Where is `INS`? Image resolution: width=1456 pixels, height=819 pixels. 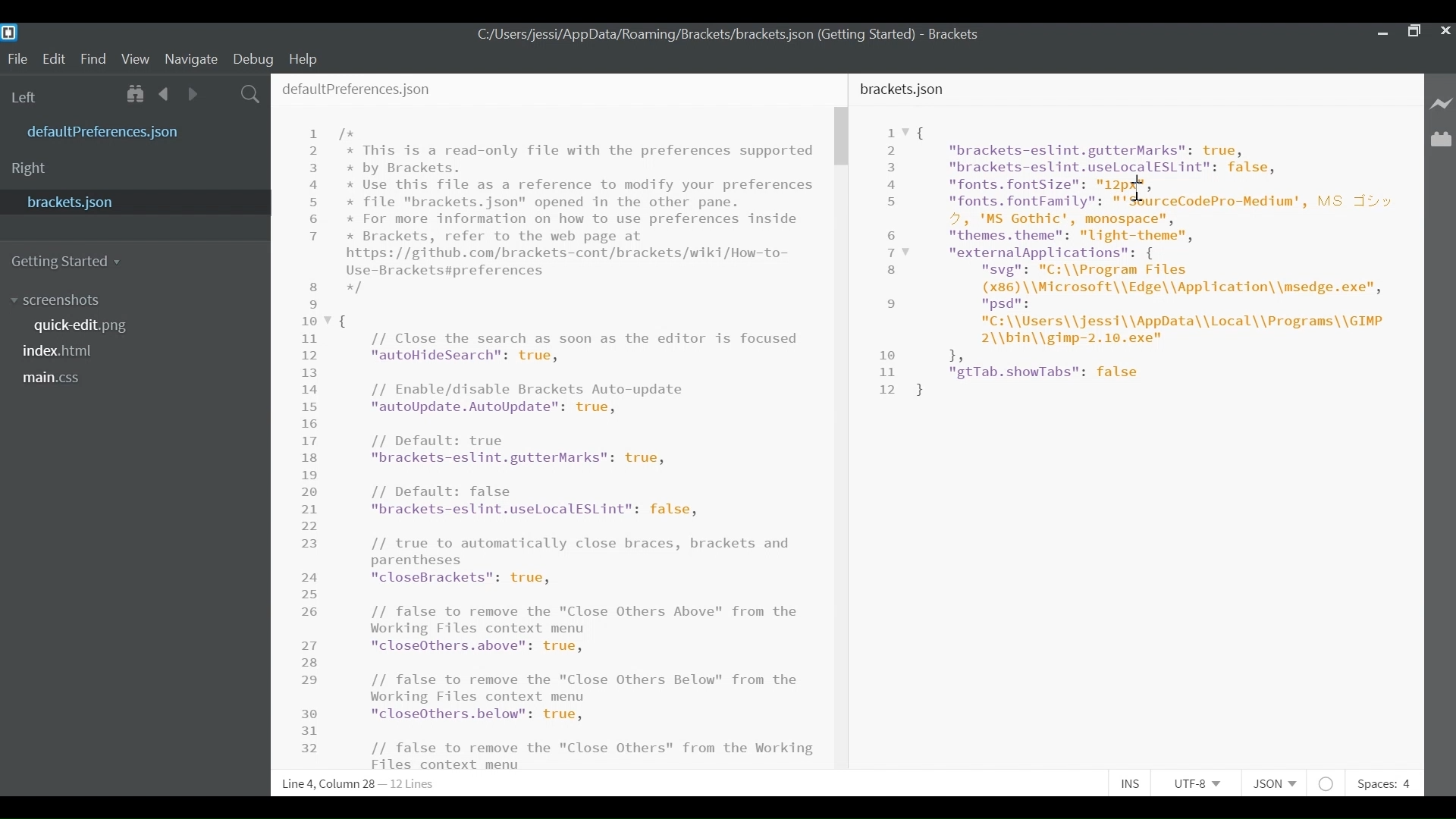 INS is located at coordinates (1135, 783).